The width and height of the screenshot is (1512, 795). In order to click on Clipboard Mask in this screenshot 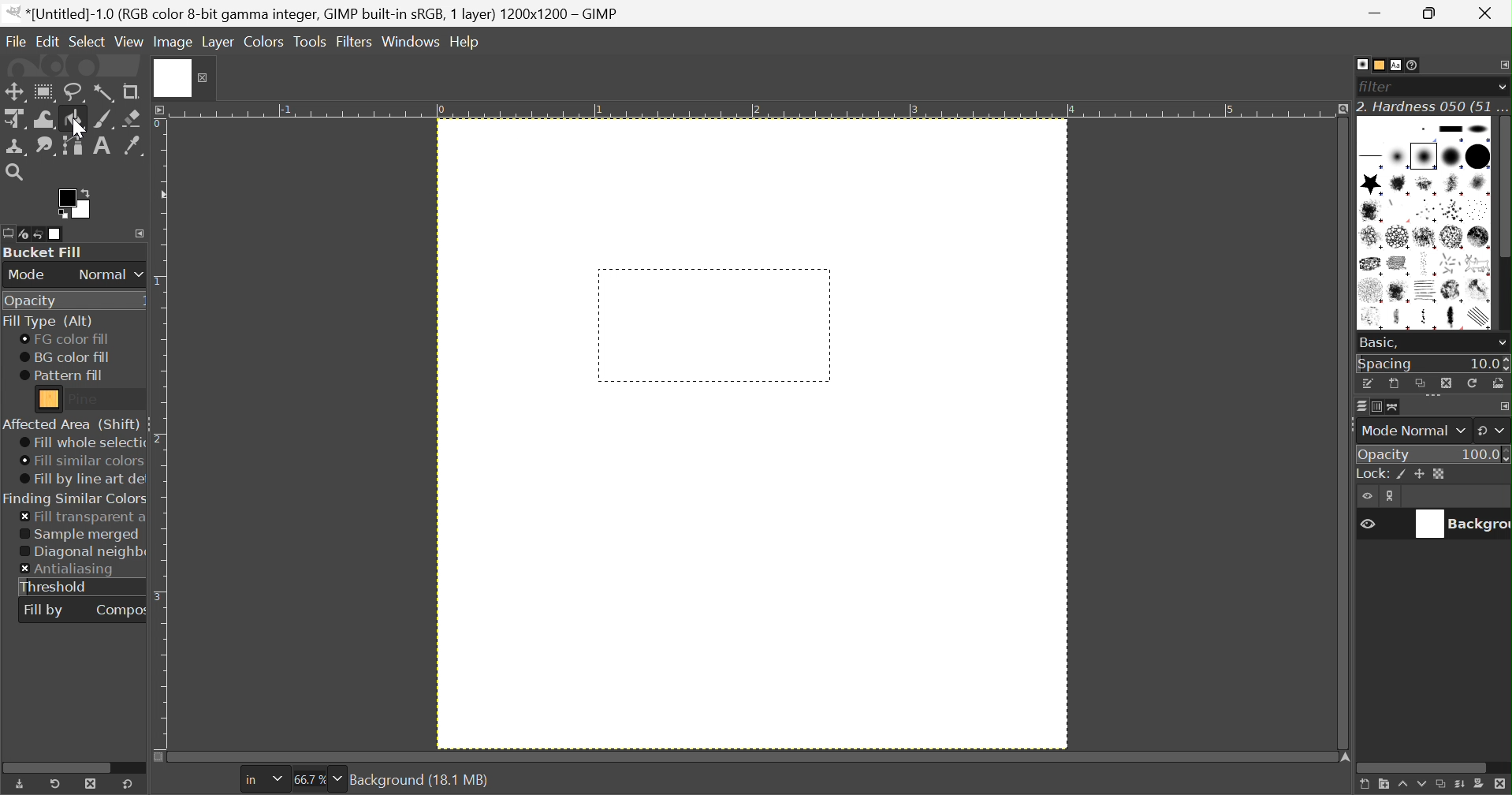, I will do `click(1403, 130)`.